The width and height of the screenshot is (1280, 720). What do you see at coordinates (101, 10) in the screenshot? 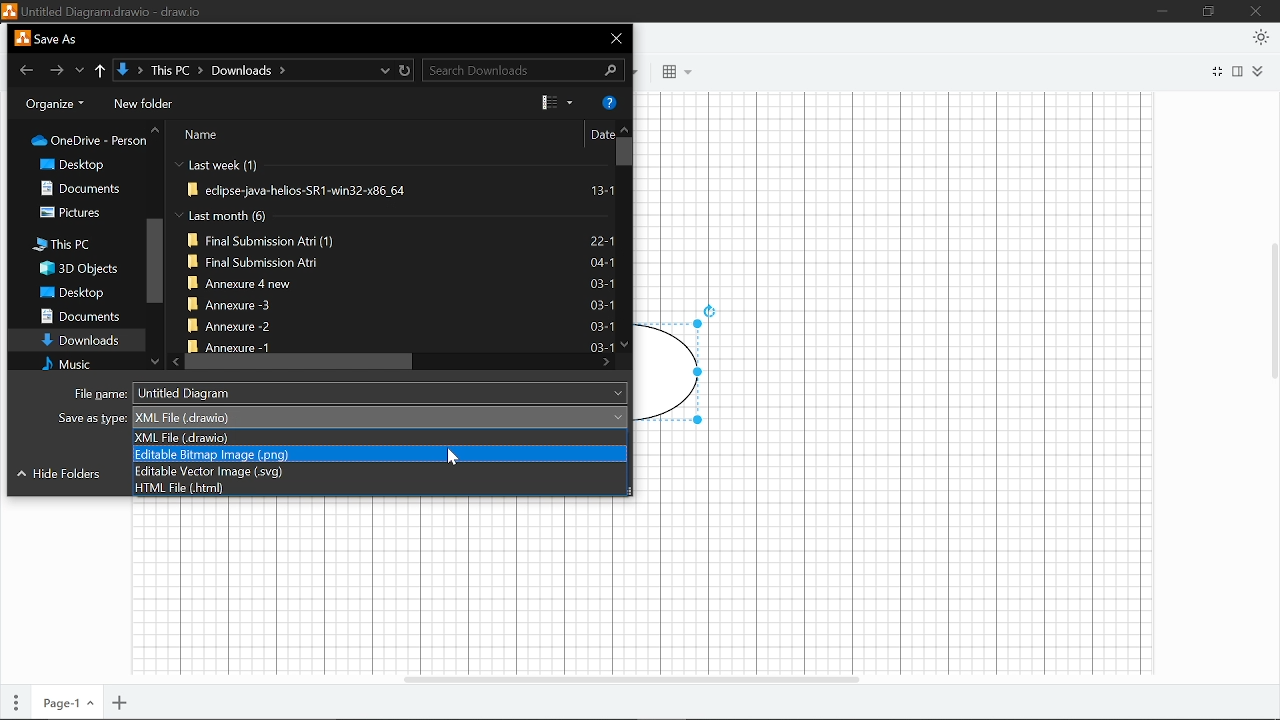
I see `File name - Untitled Diagram.drawio - draw.io` at bounding box center [101, 10].